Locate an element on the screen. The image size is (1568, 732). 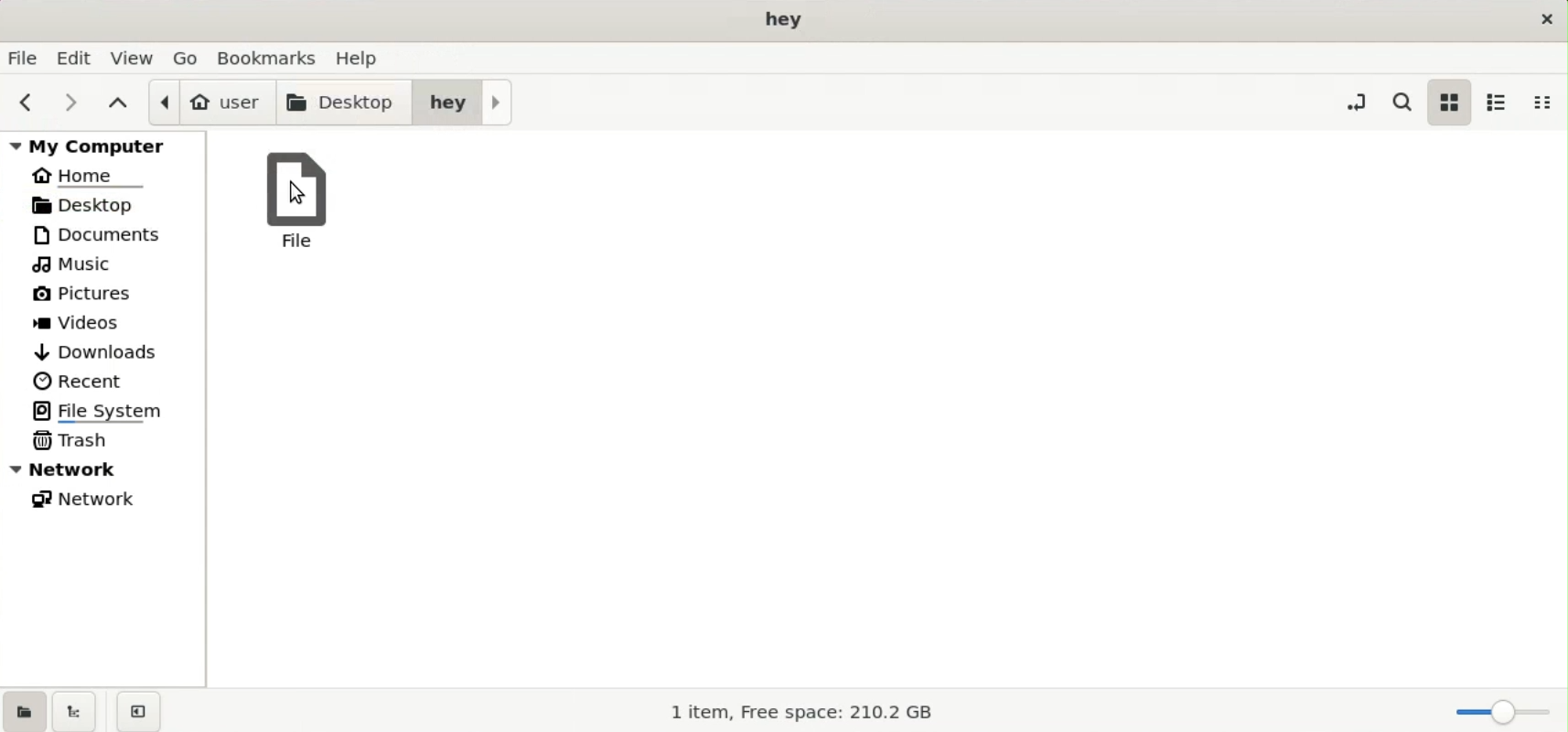
help is located at coordinates (362, 55).